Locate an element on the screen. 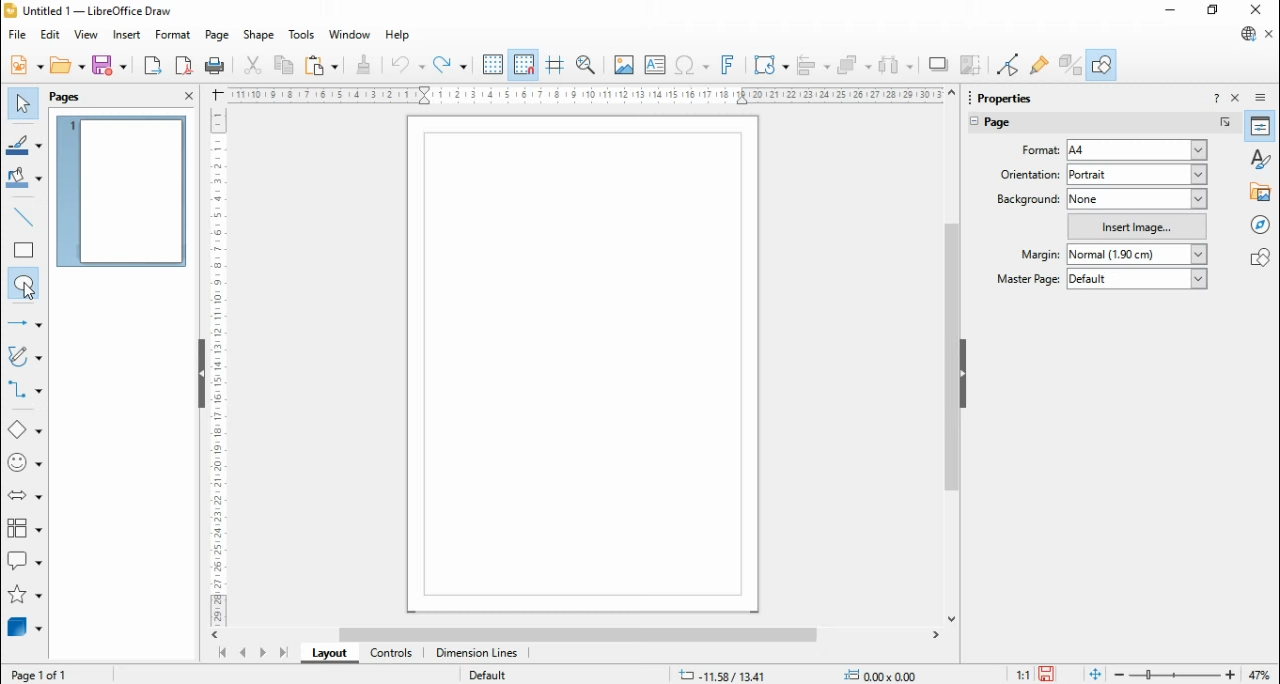 The height and width of the screenshot is (684, 1280). insert text box is located at coordinates (654, 64).